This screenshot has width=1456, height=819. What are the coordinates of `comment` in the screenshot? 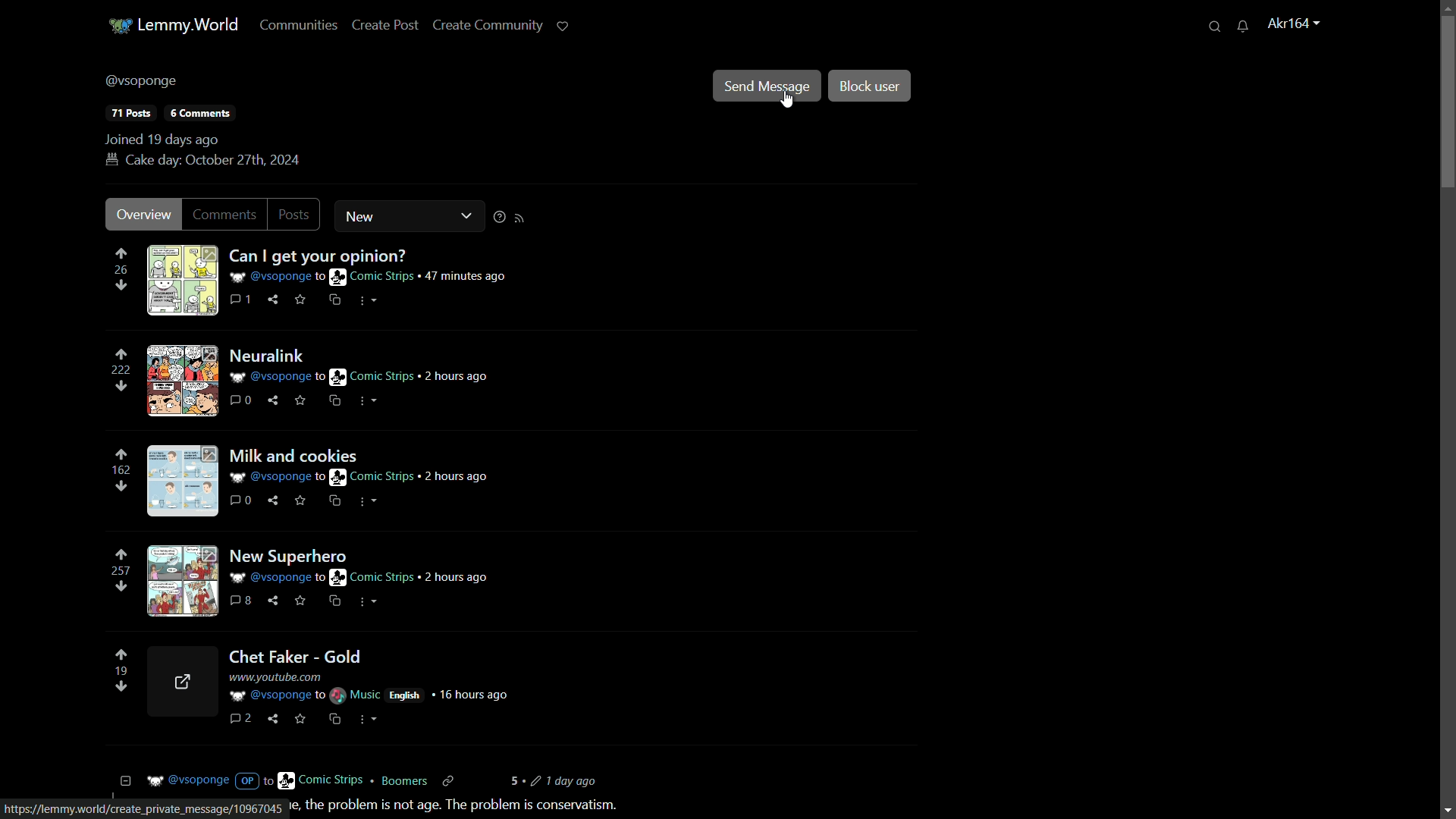 It's located at (362, 782).